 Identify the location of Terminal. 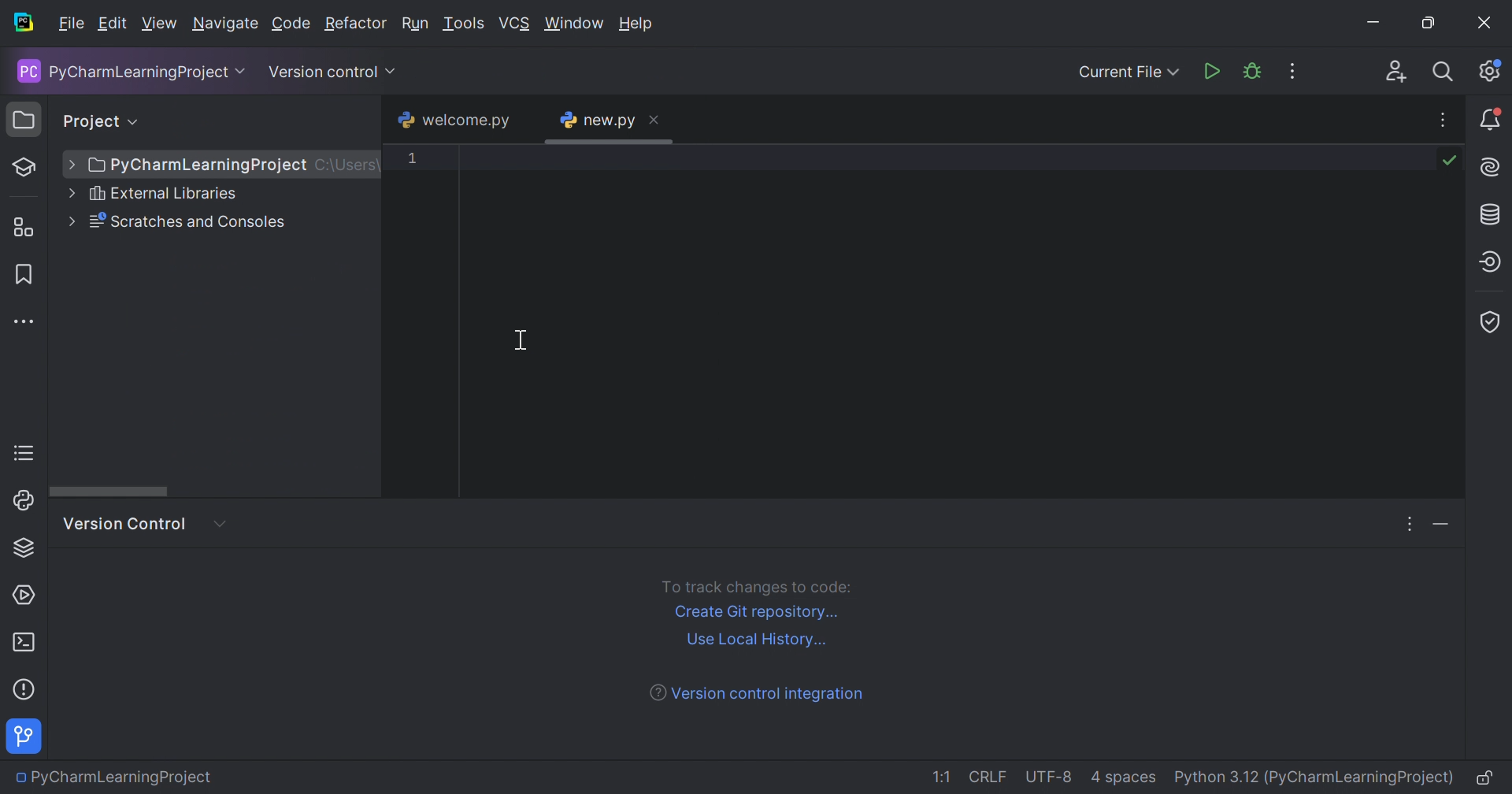
(29, 641).